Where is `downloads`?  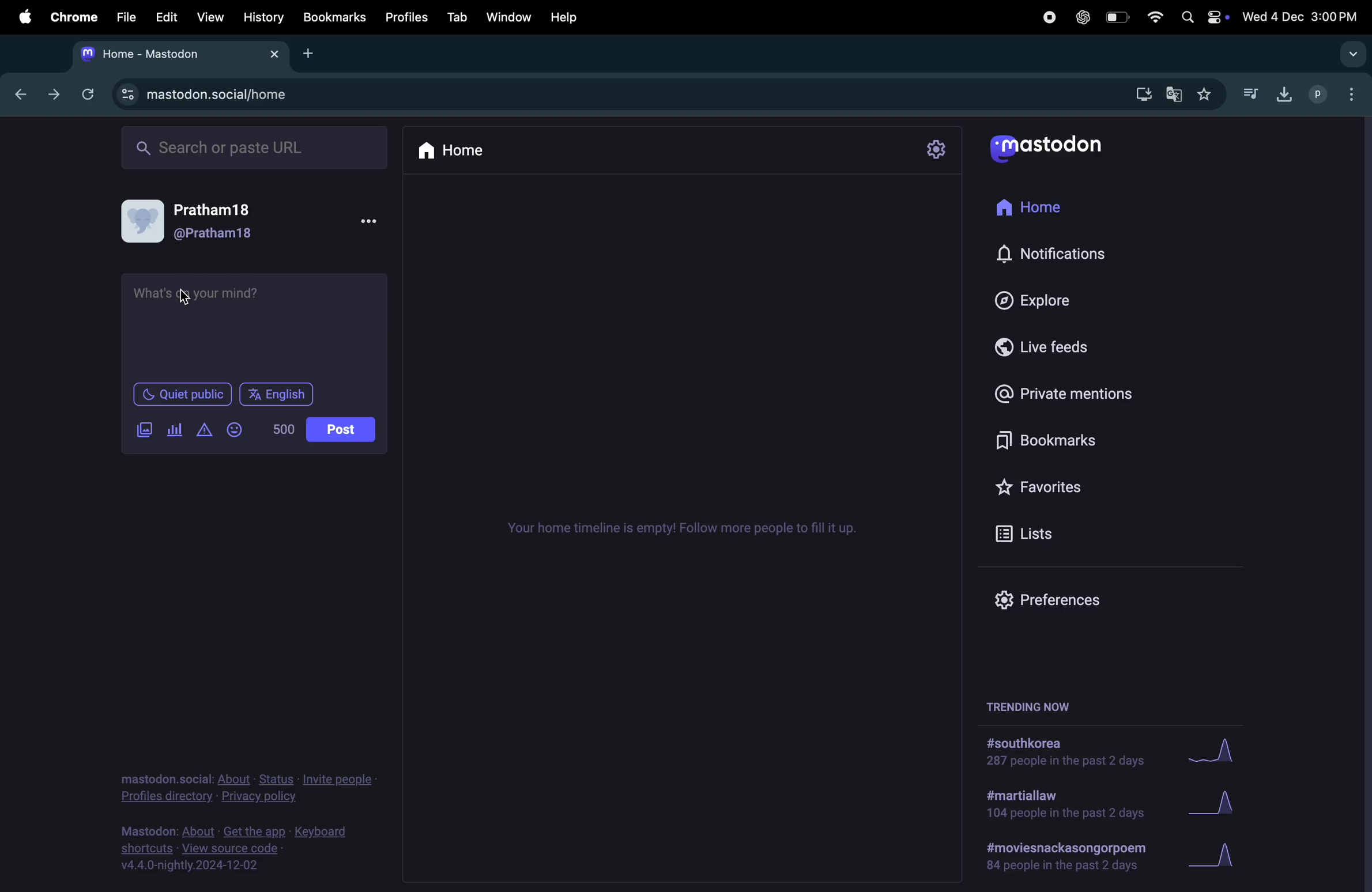 downloads is located at coordinates (1282, 95).